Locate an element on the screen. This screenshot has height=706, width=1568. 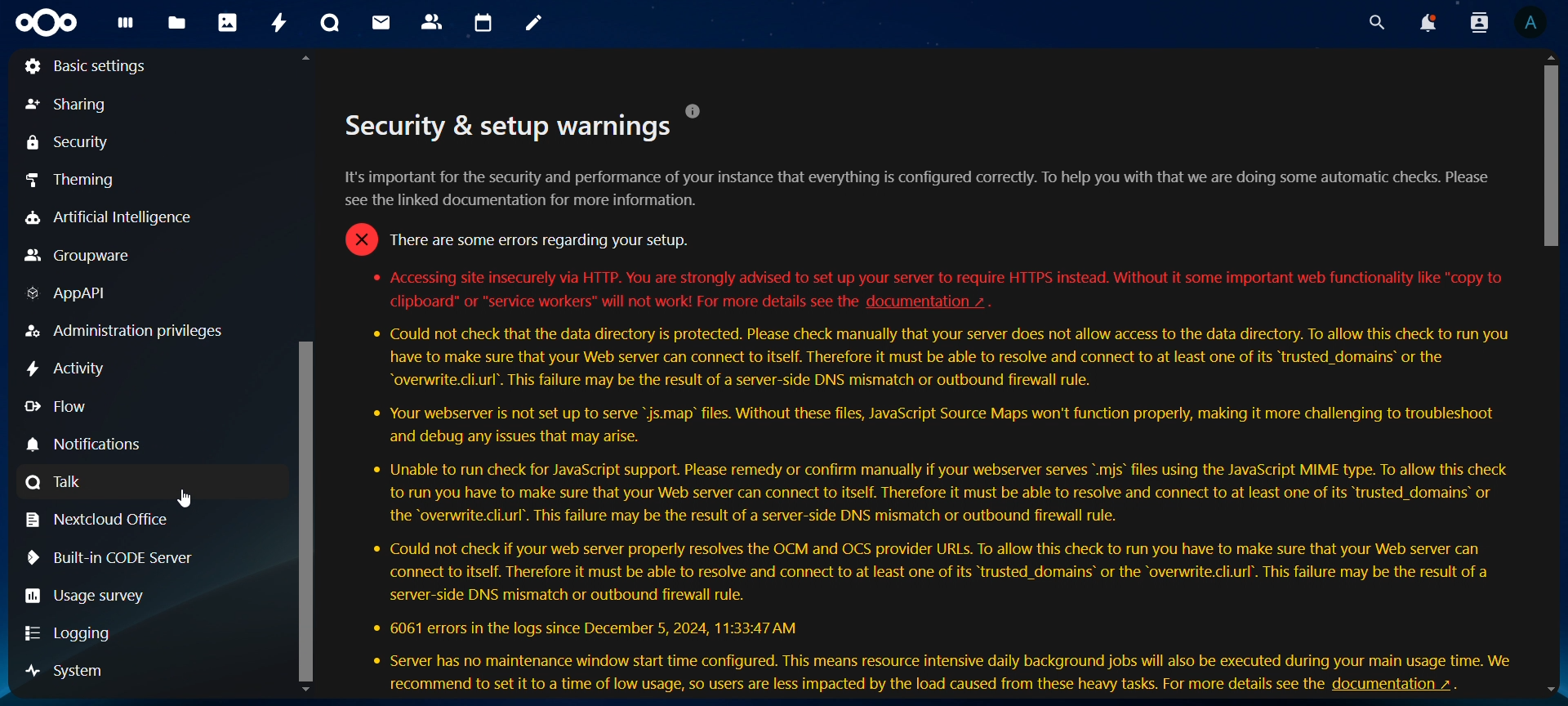
talk is located at coordinates (328, 23).